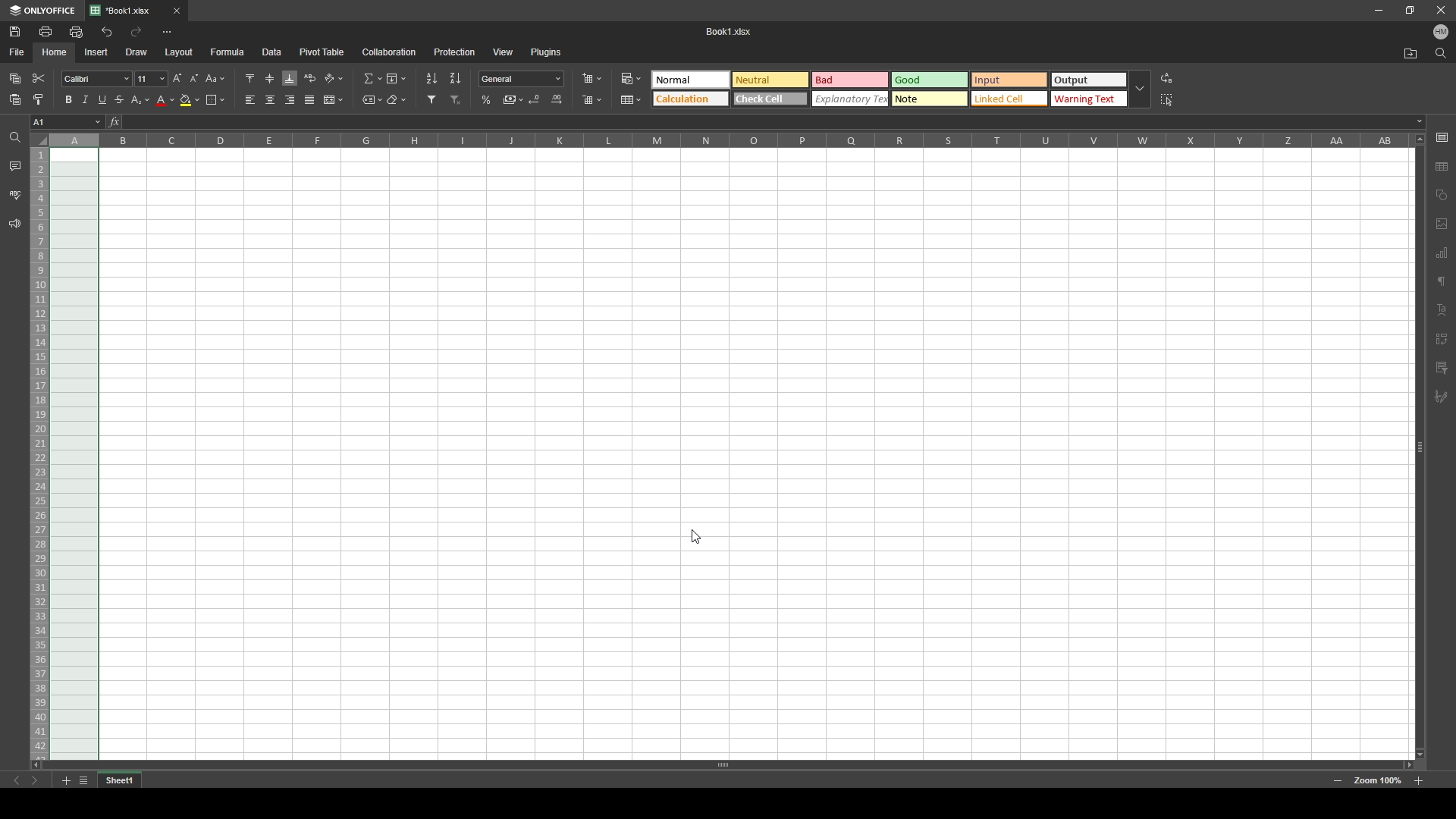 This screenshot has width=1456, height=819. What do you see at coordinates (431, 78) in the screenshot?
I see `sort ascending` at bounding box center [431, 78].